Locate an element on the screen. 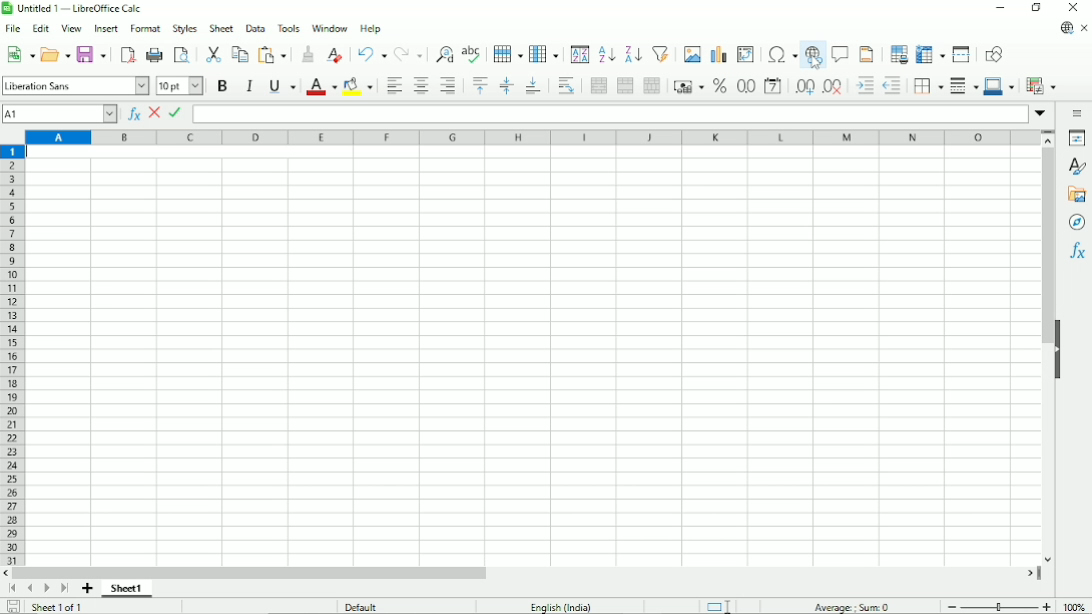  English (India) is located at coordinates (561, 607).